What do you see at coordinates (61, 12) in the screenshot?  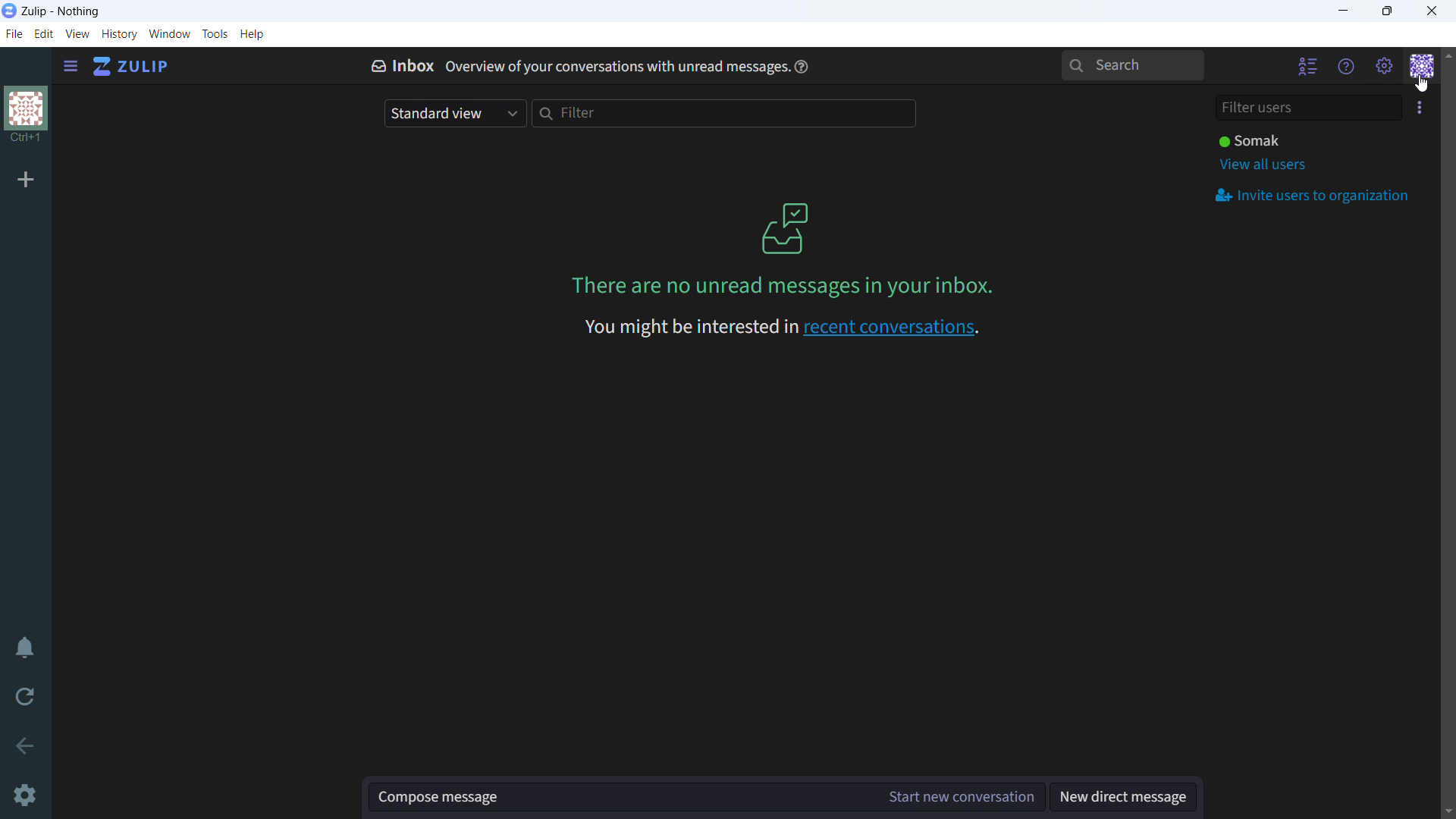 I see `title` at bounding box center [61, 12].